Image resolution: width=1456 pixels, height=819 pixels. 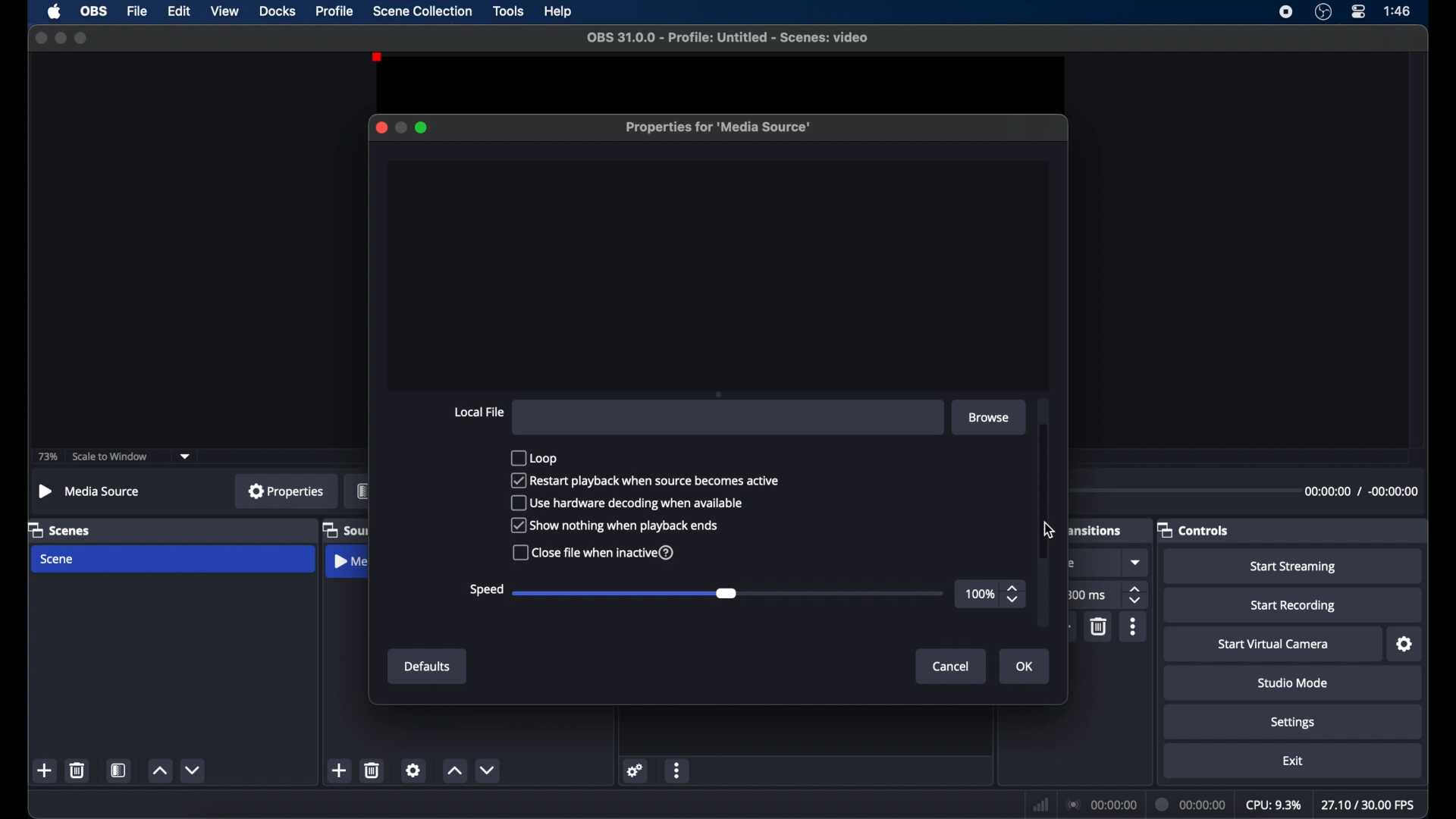 What do you see at coordinates (82, 38) in the screenshot?
I see `maximize` at bounding box center [82, 38].